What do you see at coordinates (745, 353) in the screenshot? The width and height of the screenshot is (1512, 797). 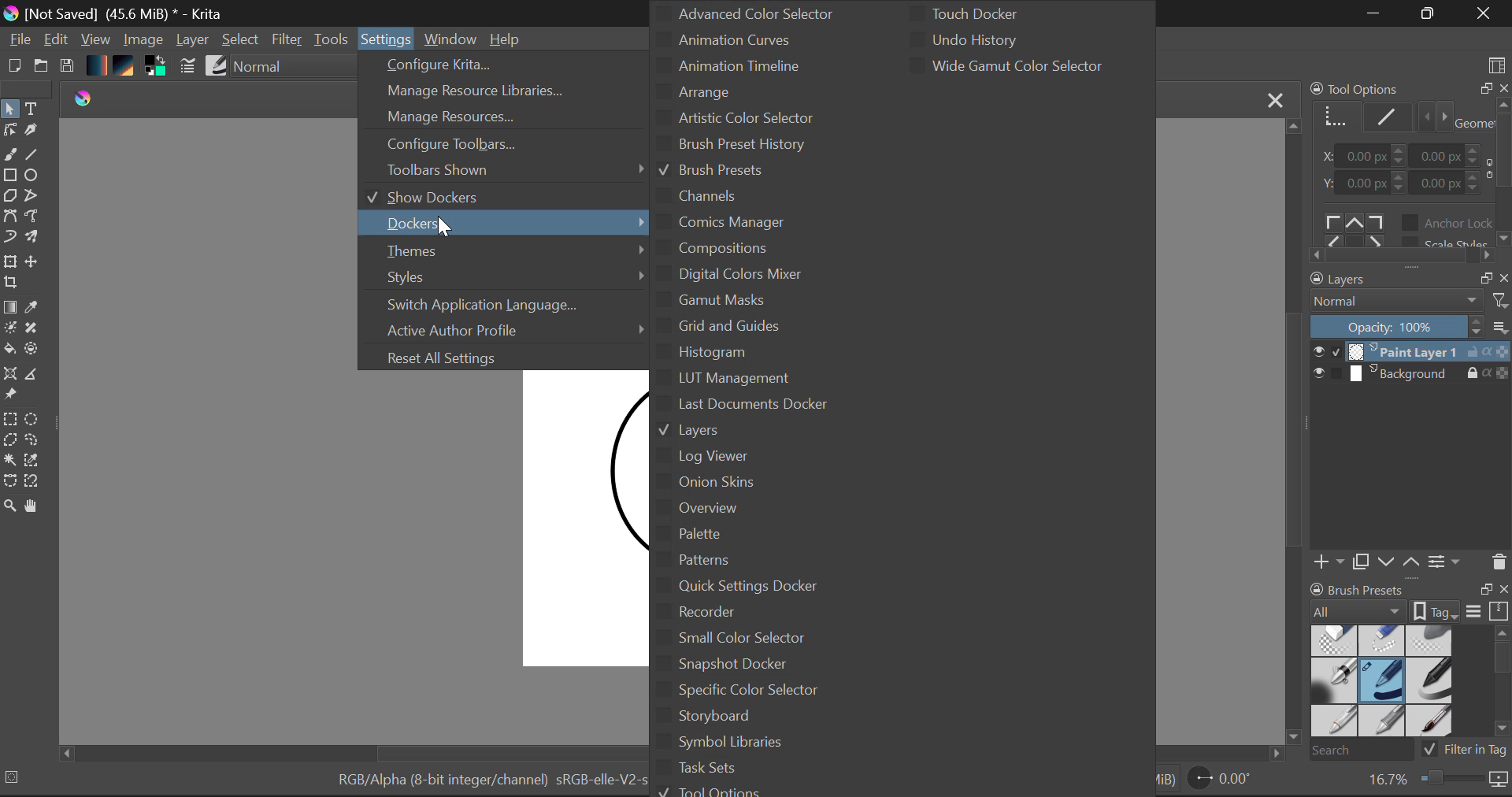 I see `Histogram` at bounding box center [745, 353].